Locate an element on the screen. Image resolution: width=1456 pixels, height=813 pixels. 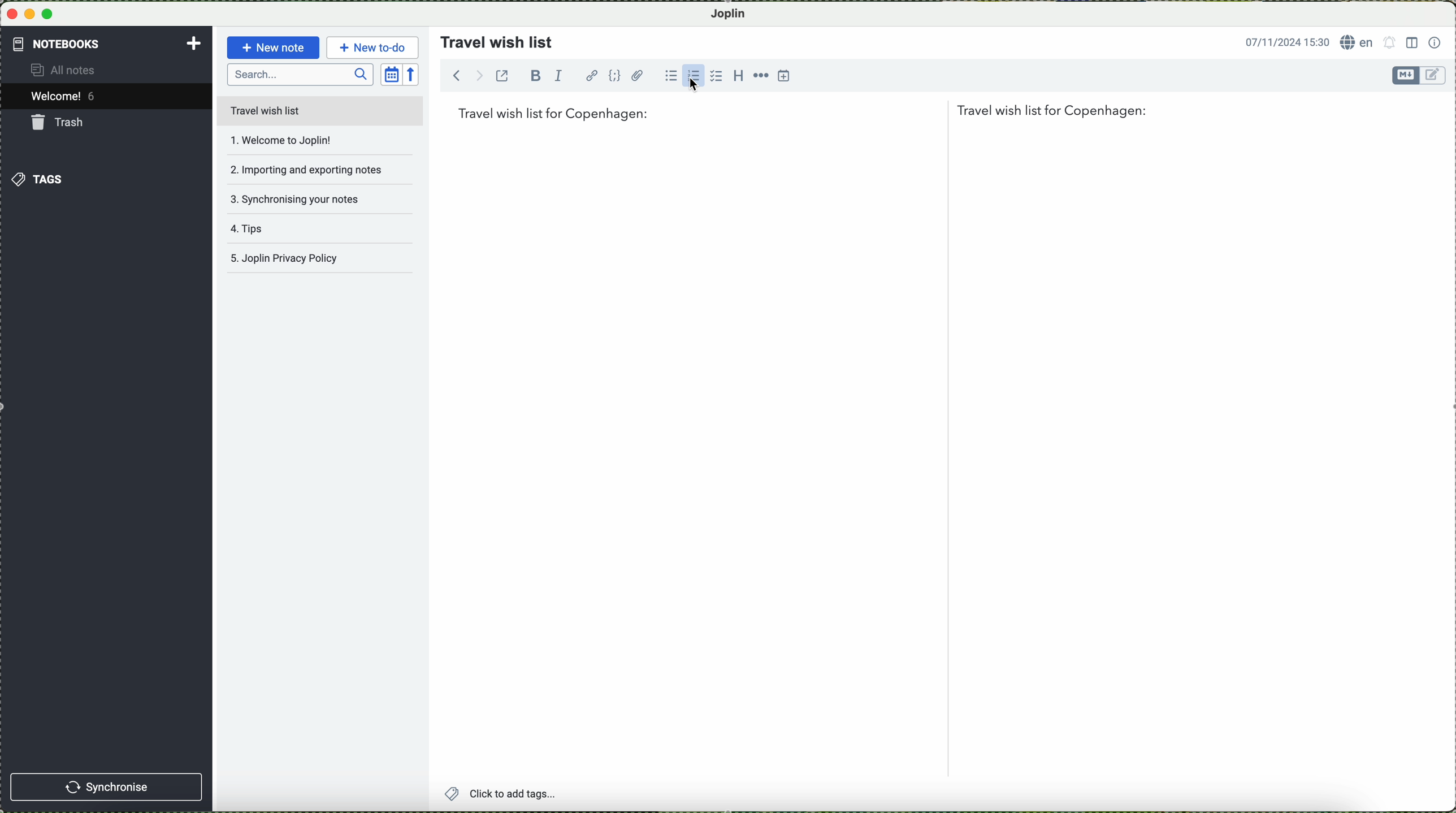
synchronising your notes is located at coordinates (304, 198).